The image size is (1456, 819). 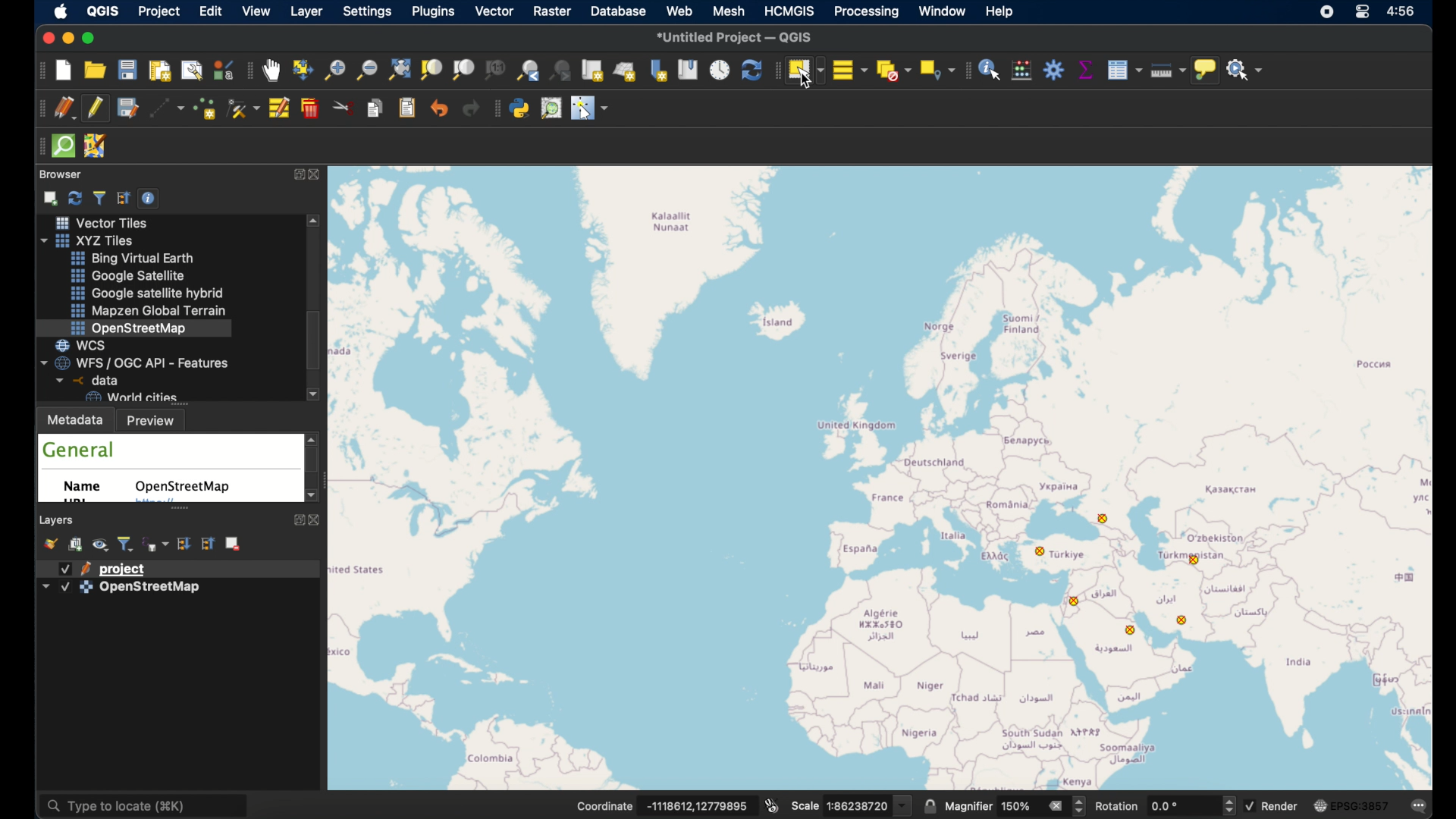 What do you see at coordinates (344, 108) in the screenshot?
I see `cut features` at bounding box center [344, 108].